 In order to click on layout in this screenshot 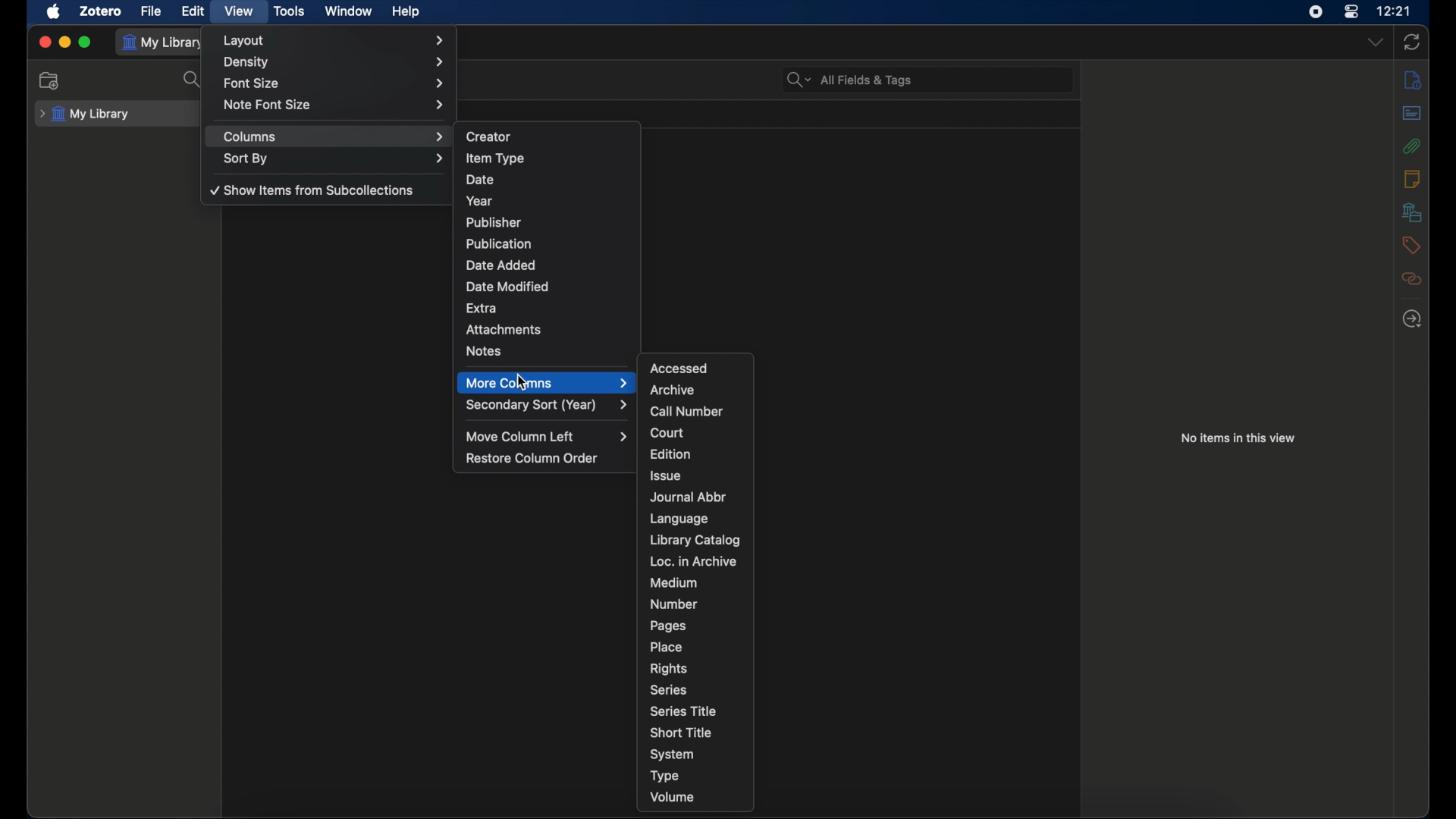, I will do `click(336, 40)`.